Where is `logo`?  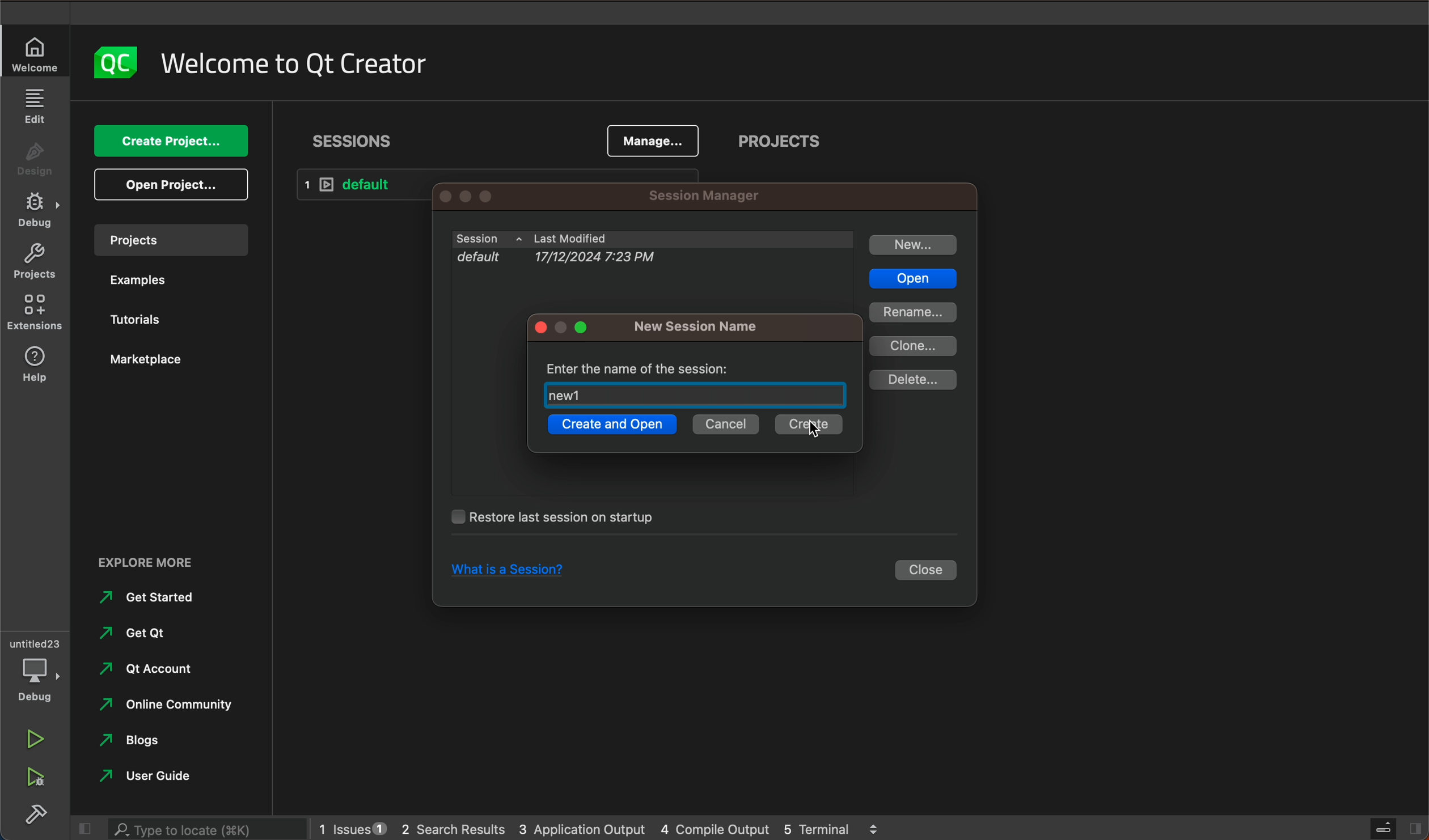
logo is located at coordinates (113, 62).